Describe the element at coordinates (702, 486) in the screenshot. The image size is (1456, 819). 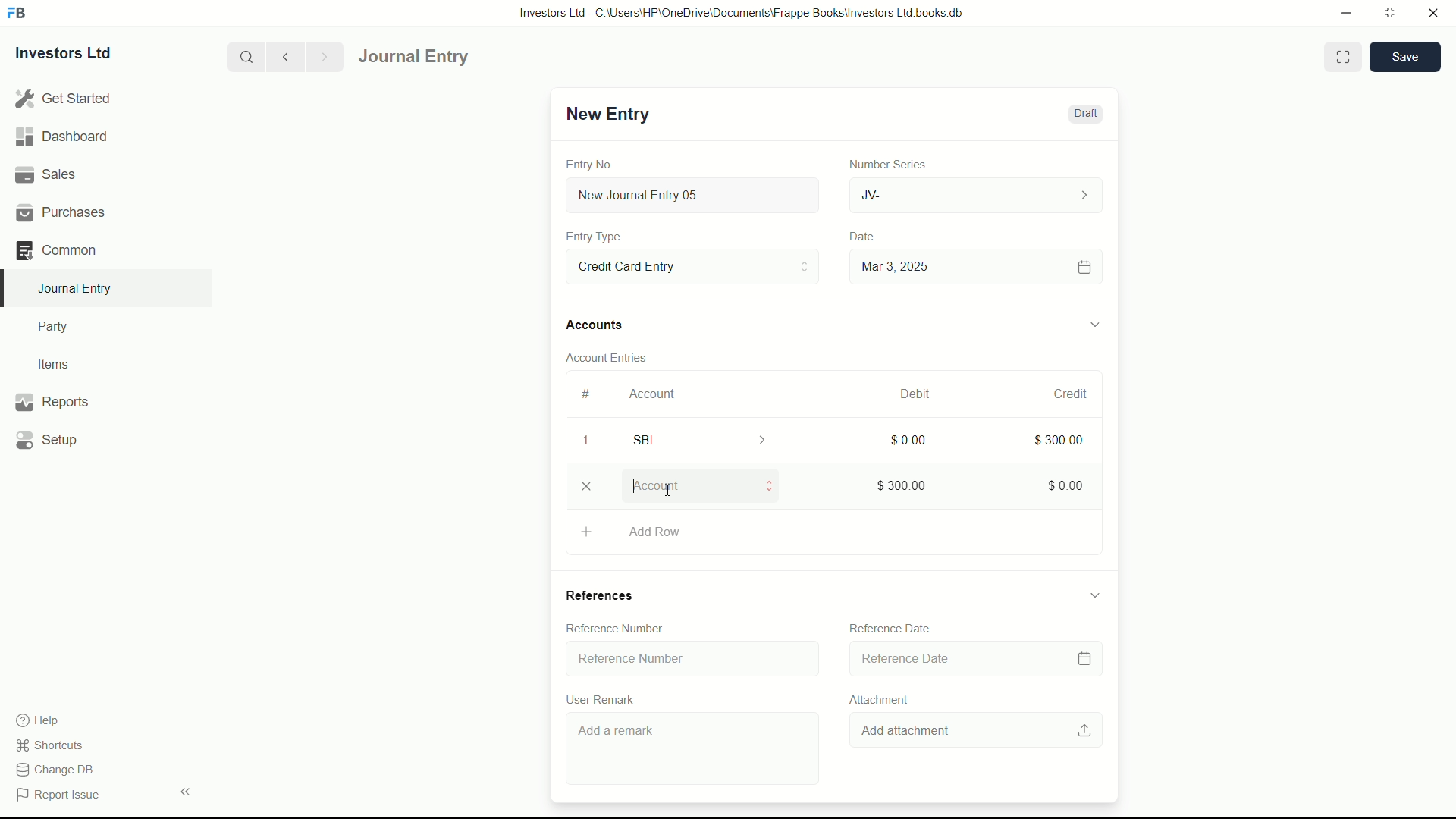
I see `Account` at that location.